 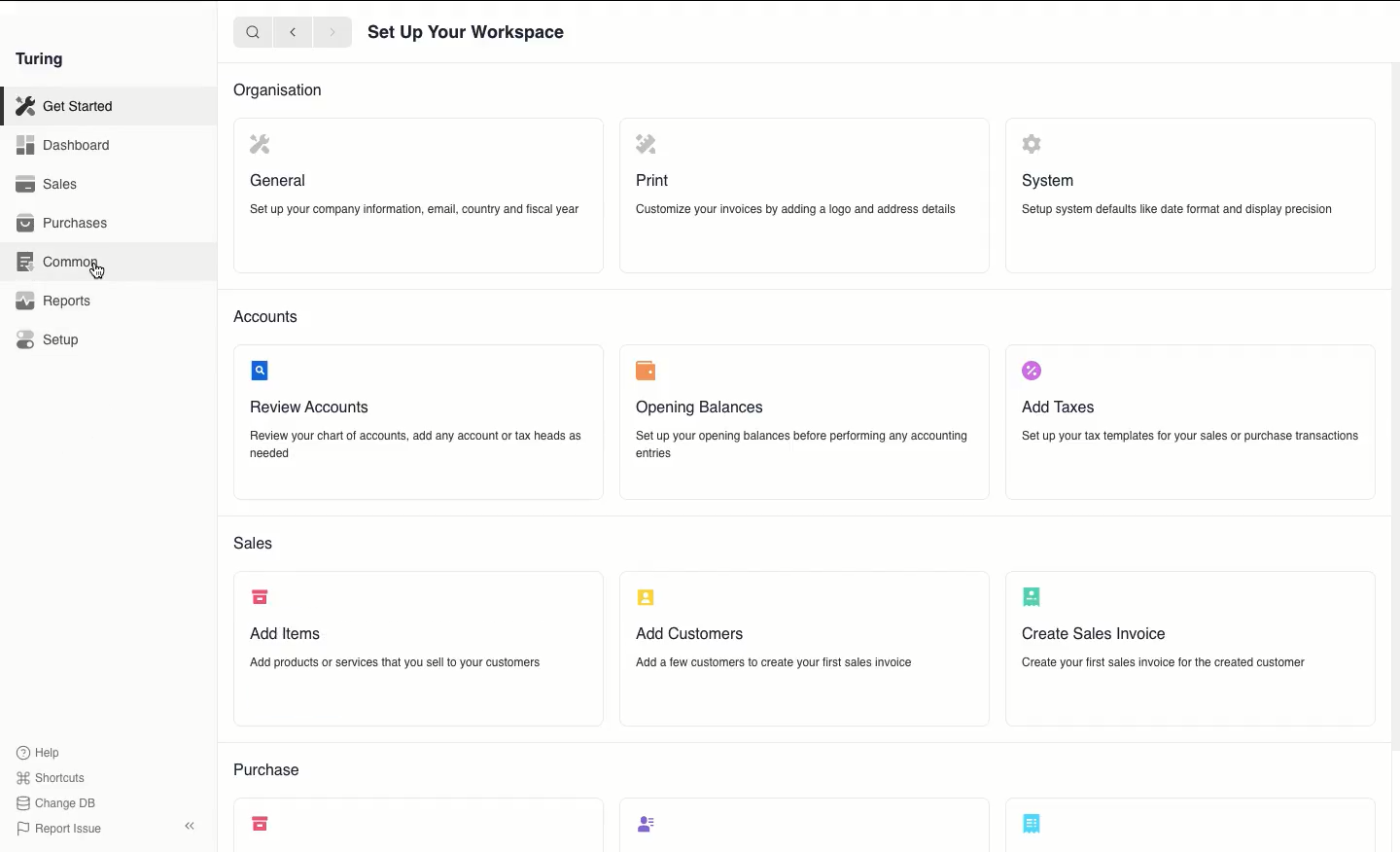 What do you see at coordinates (1168, 664) in the screenshot?
I see `Create your first sales invoice for the created customer` at bounding box center [1168, 664].